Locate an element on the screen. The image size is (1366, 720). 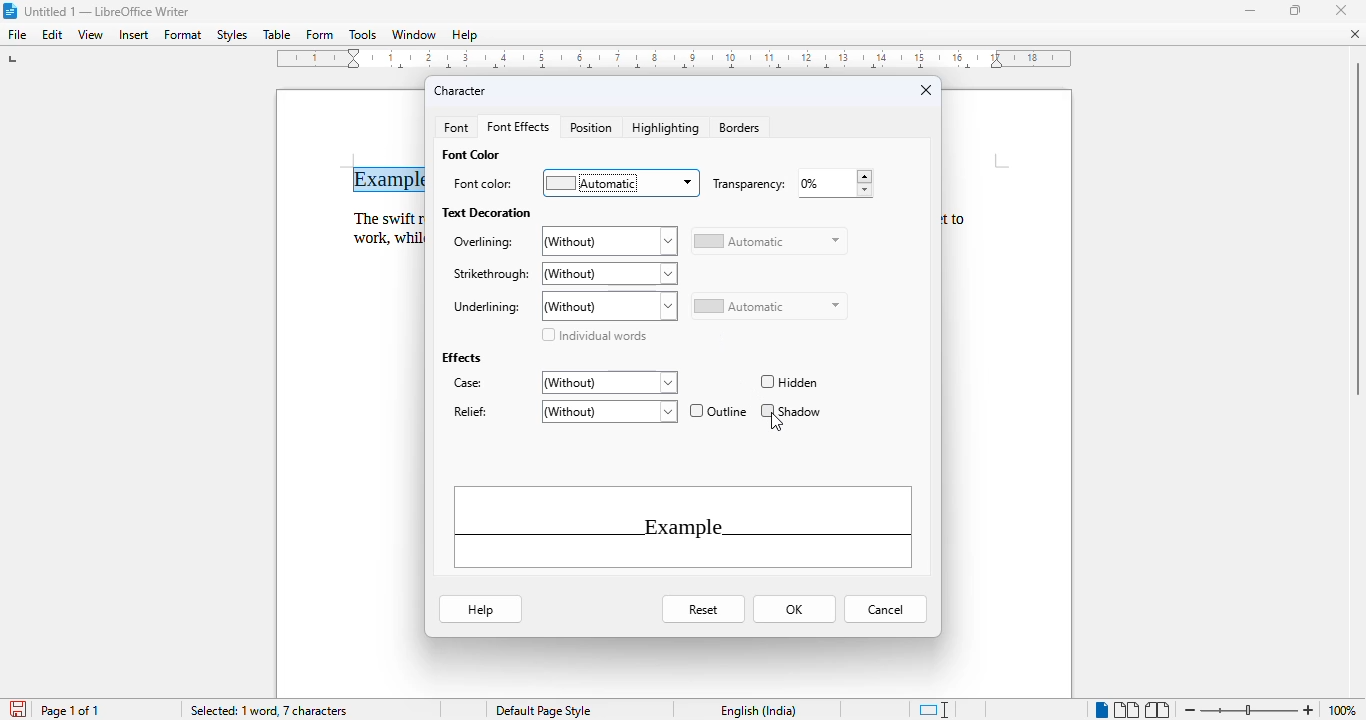
character is located at coordinates (460, 91).